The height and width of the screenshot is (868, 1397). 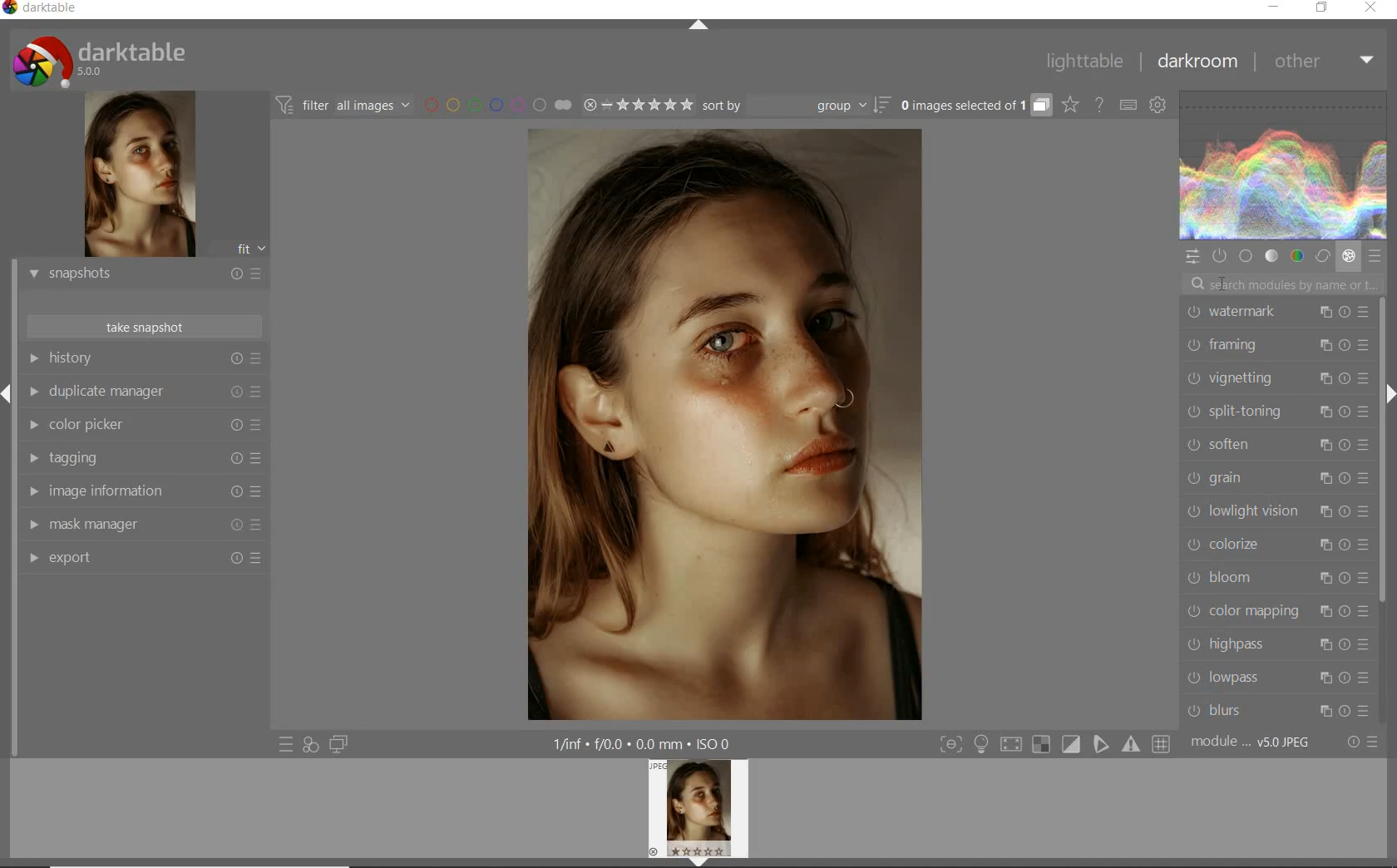 What do you see at coordinates (1276, 378) in the screenshot?
I see `vignetting` at bounding box center [1276, 378].